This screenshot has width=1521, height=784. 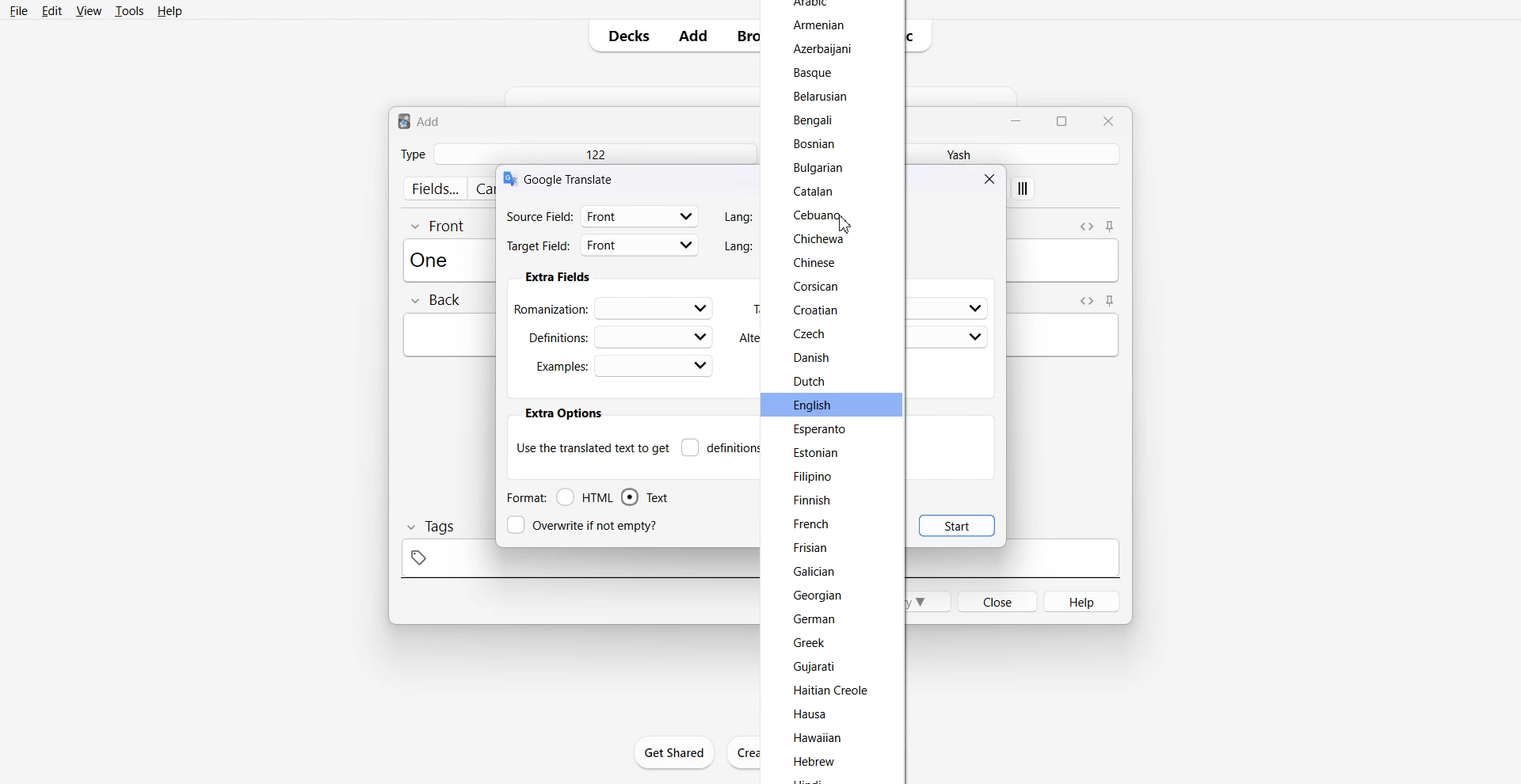 I want to click on Tools, so click(x=129, y=10).